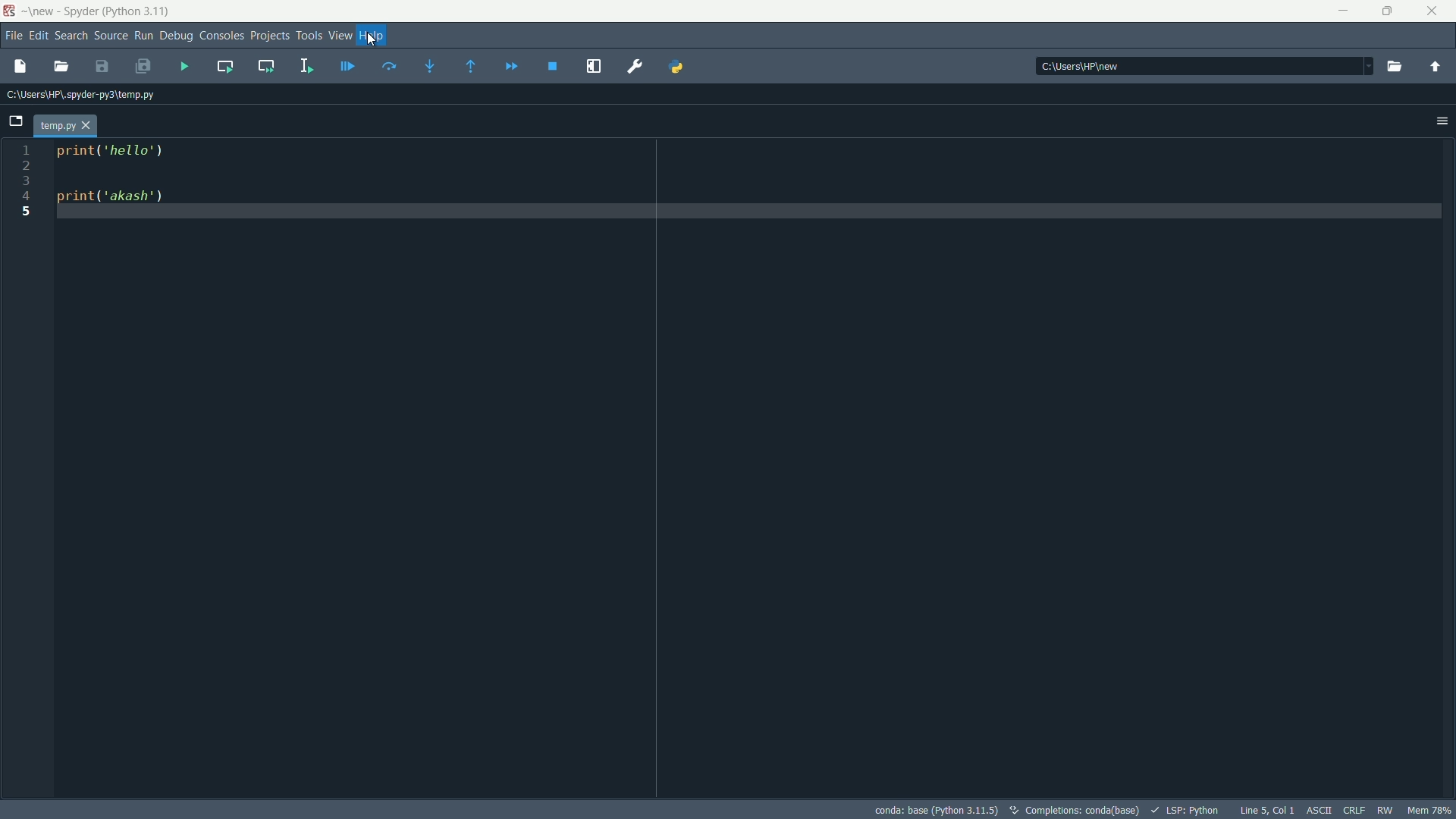 The height and width of the screenshot is (819, 1456). Describe the element at coordinates (598, 65) in the screenshot. I see `maximize current pane` at that location.